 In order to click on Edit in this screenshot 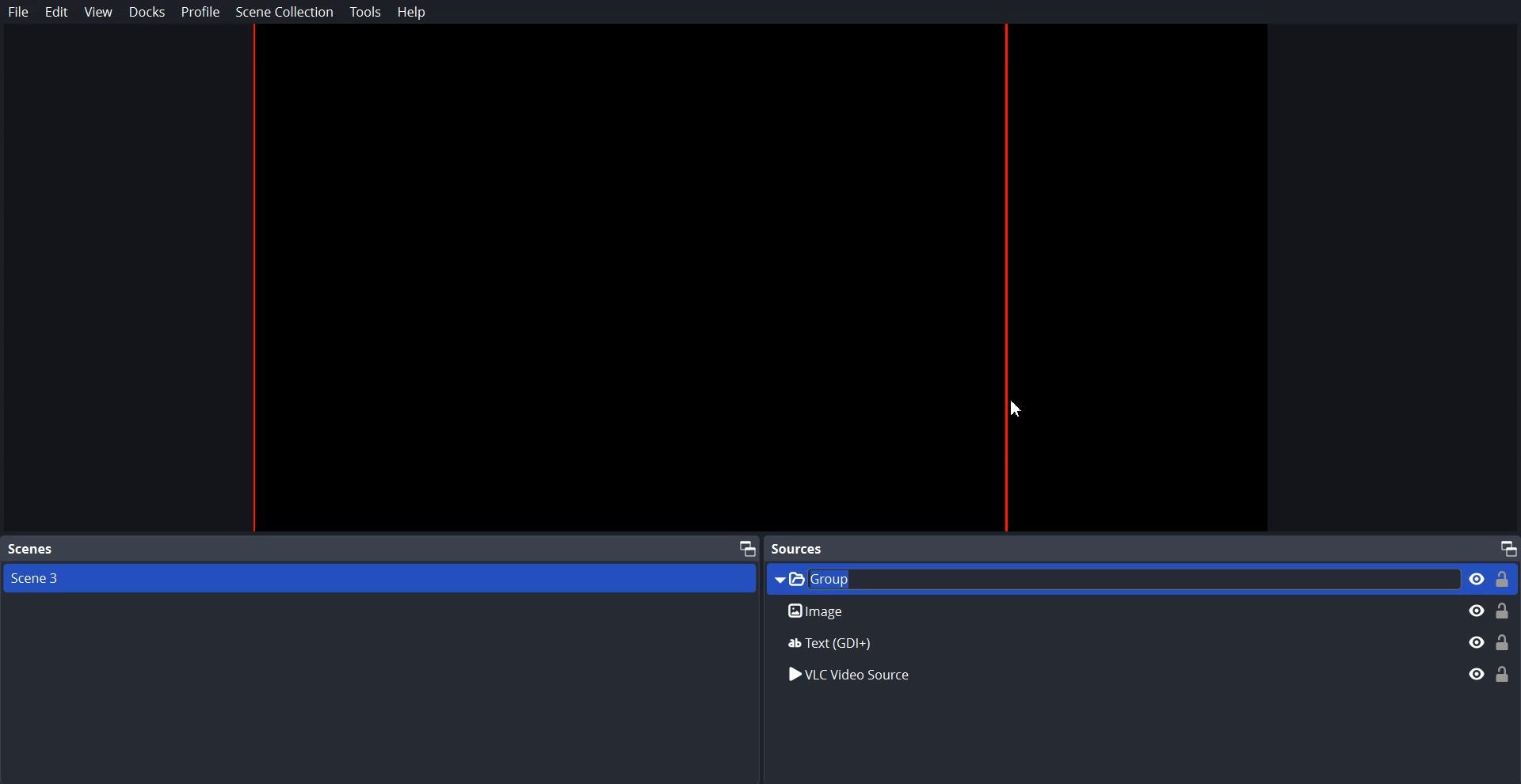, I will do `click(57, 12)`.